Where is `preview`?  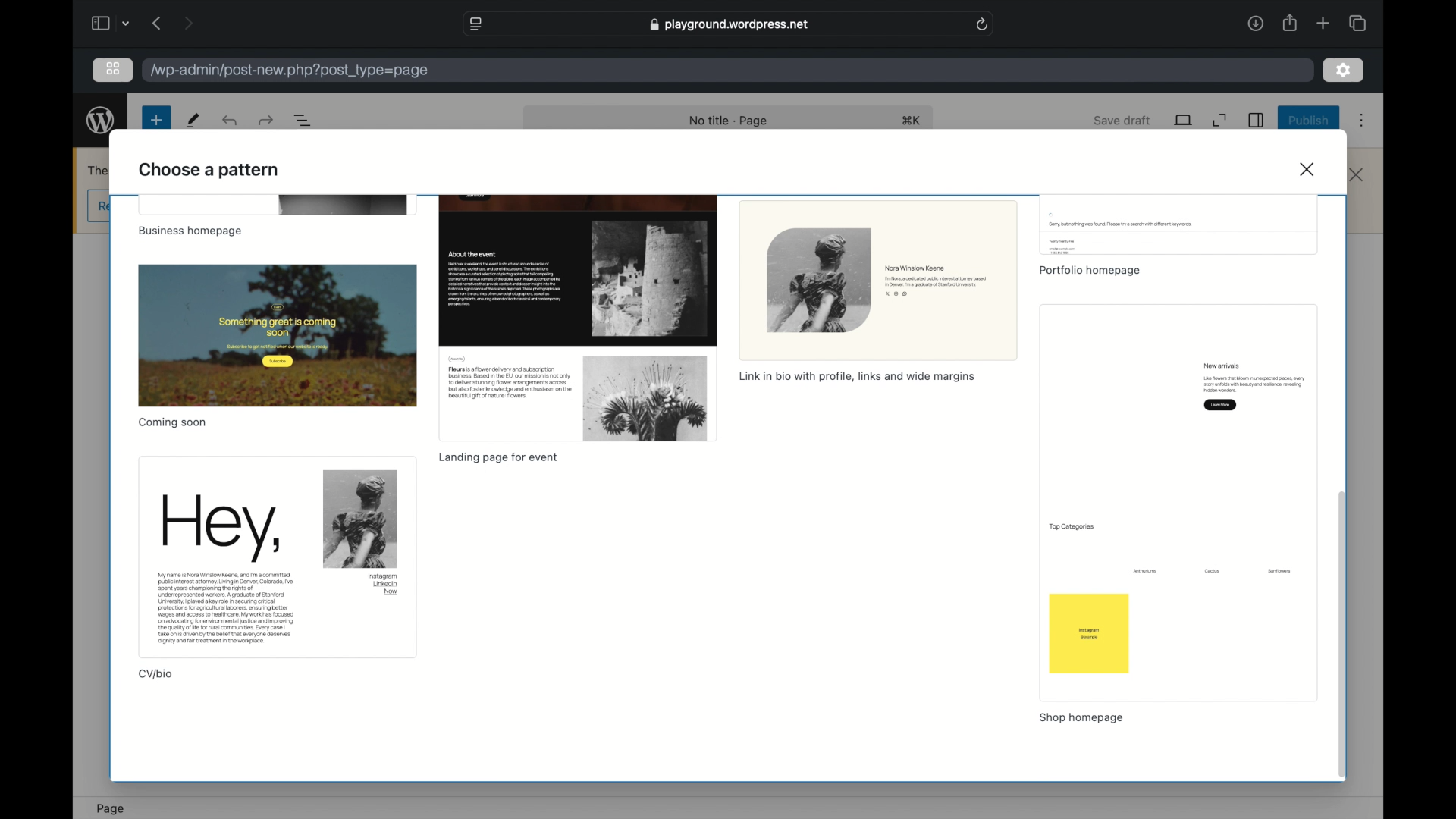
preview is located at coordinates (579, 317).